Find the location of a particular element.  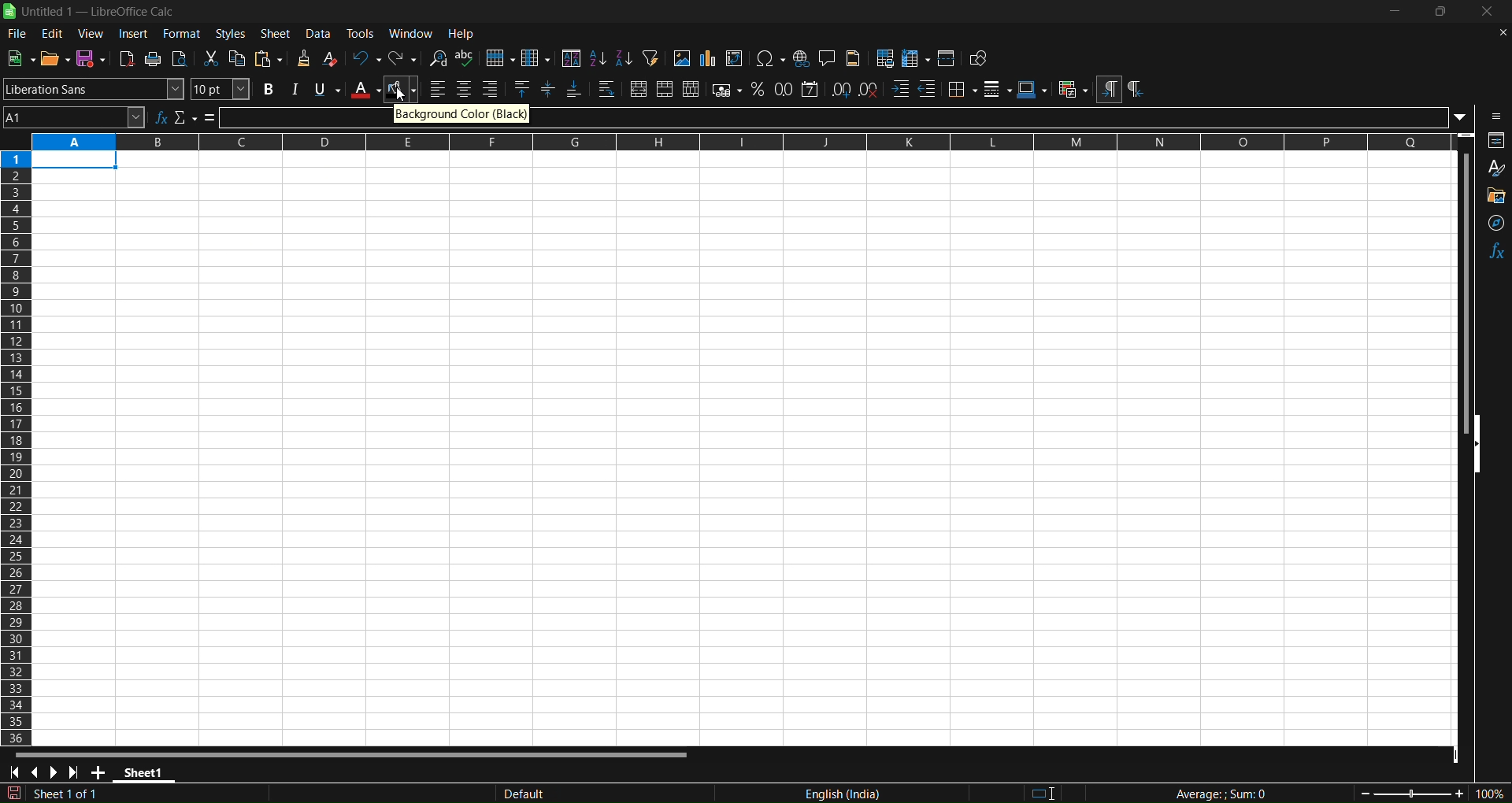

align center is located at coordinates (465, 87).